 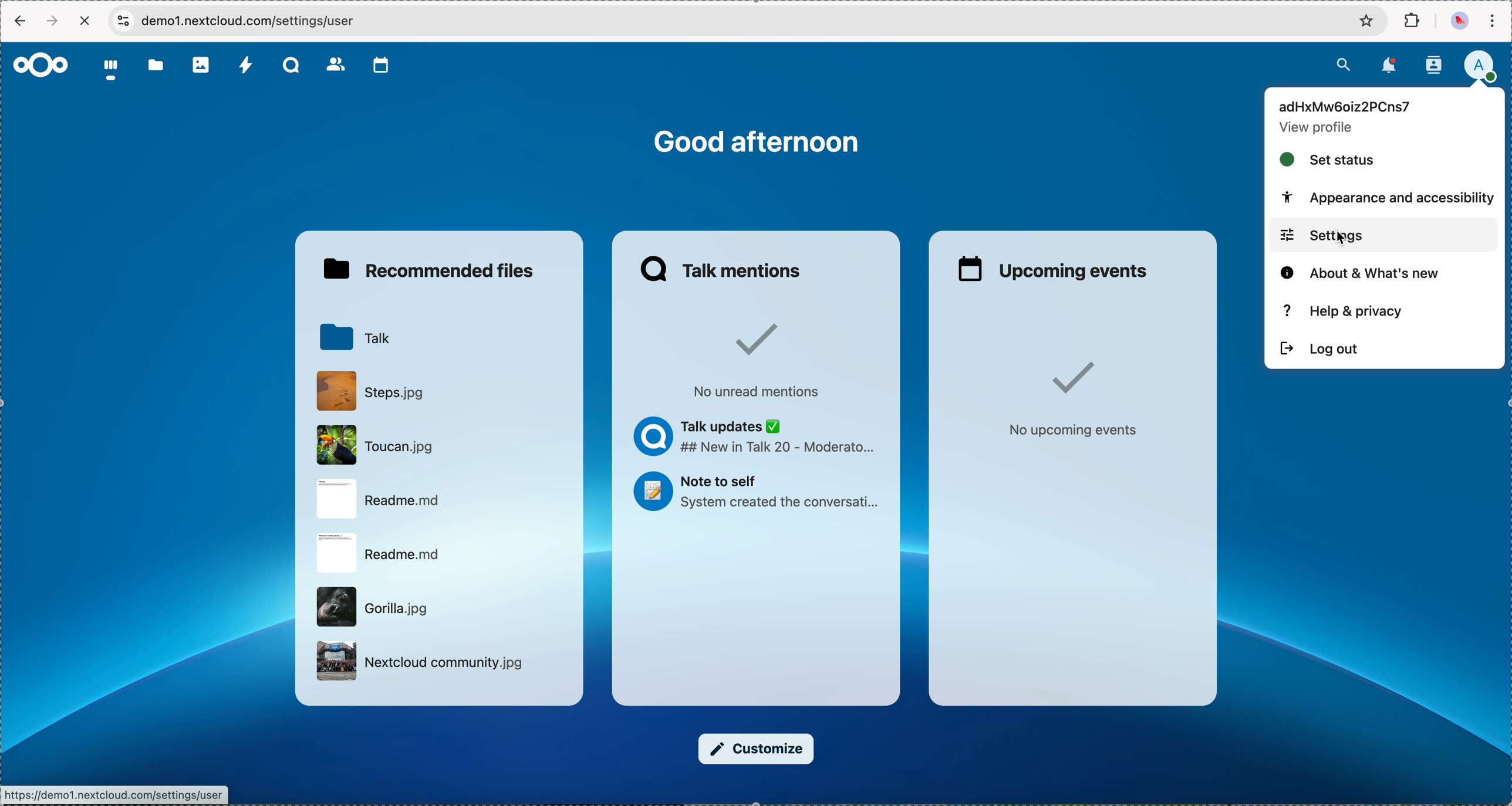 I want to click on favorites, so click(x=1366, y=22).